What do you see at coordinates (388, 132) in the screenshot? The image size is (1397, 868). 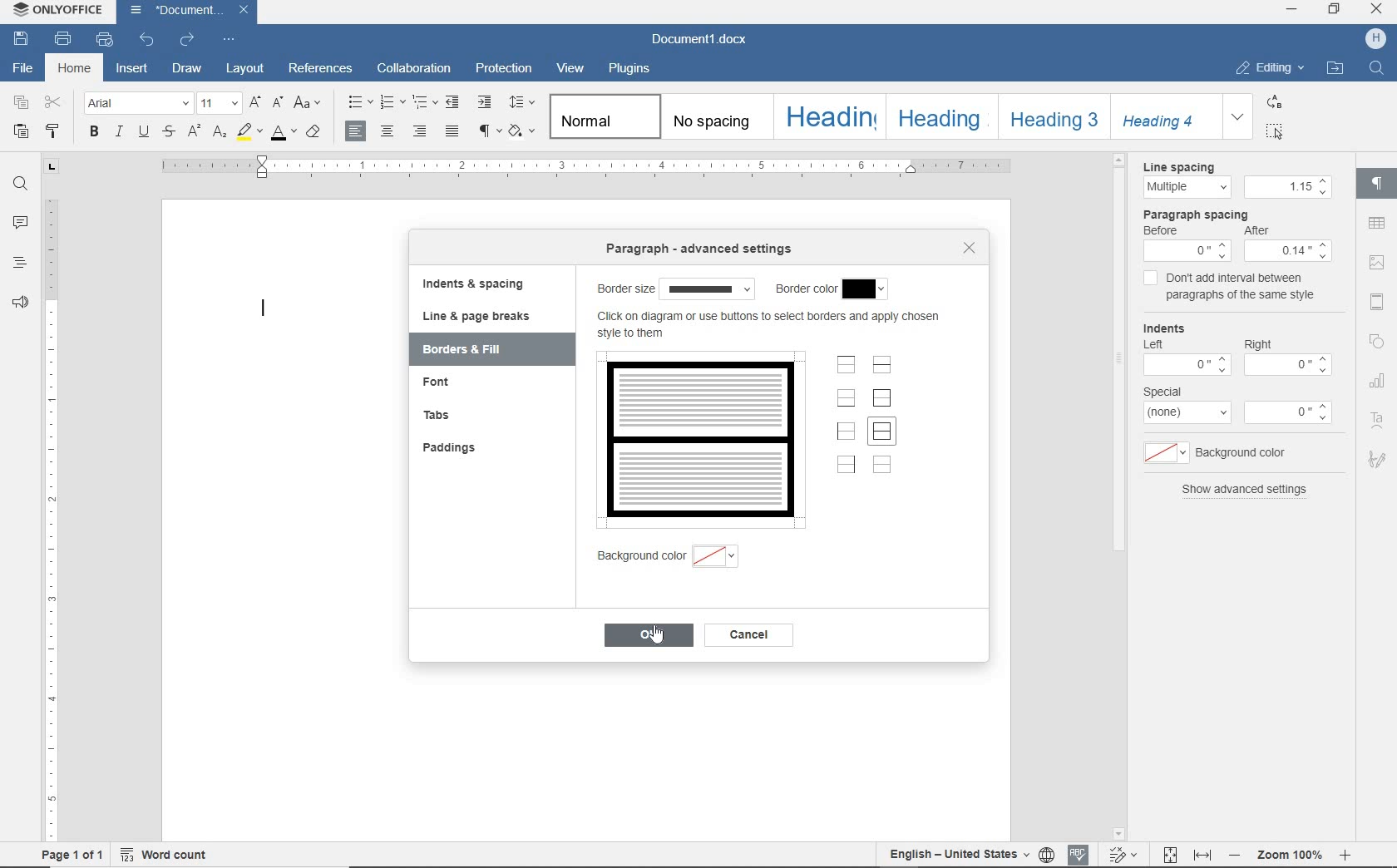 I see `align center` at bounding box center [388, 132].